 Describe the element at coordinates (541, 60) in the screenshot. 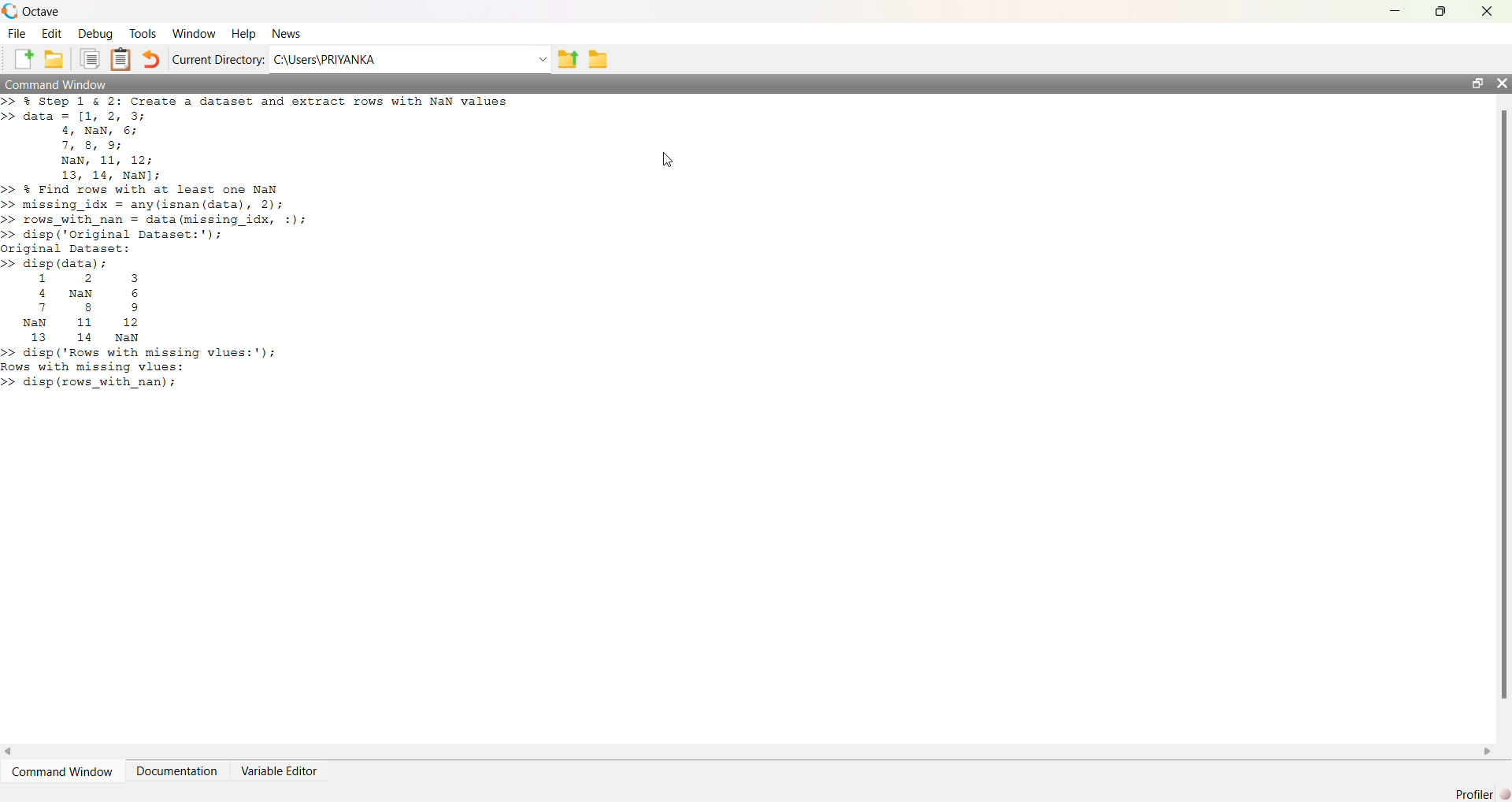

I see `dropdown` at that location.